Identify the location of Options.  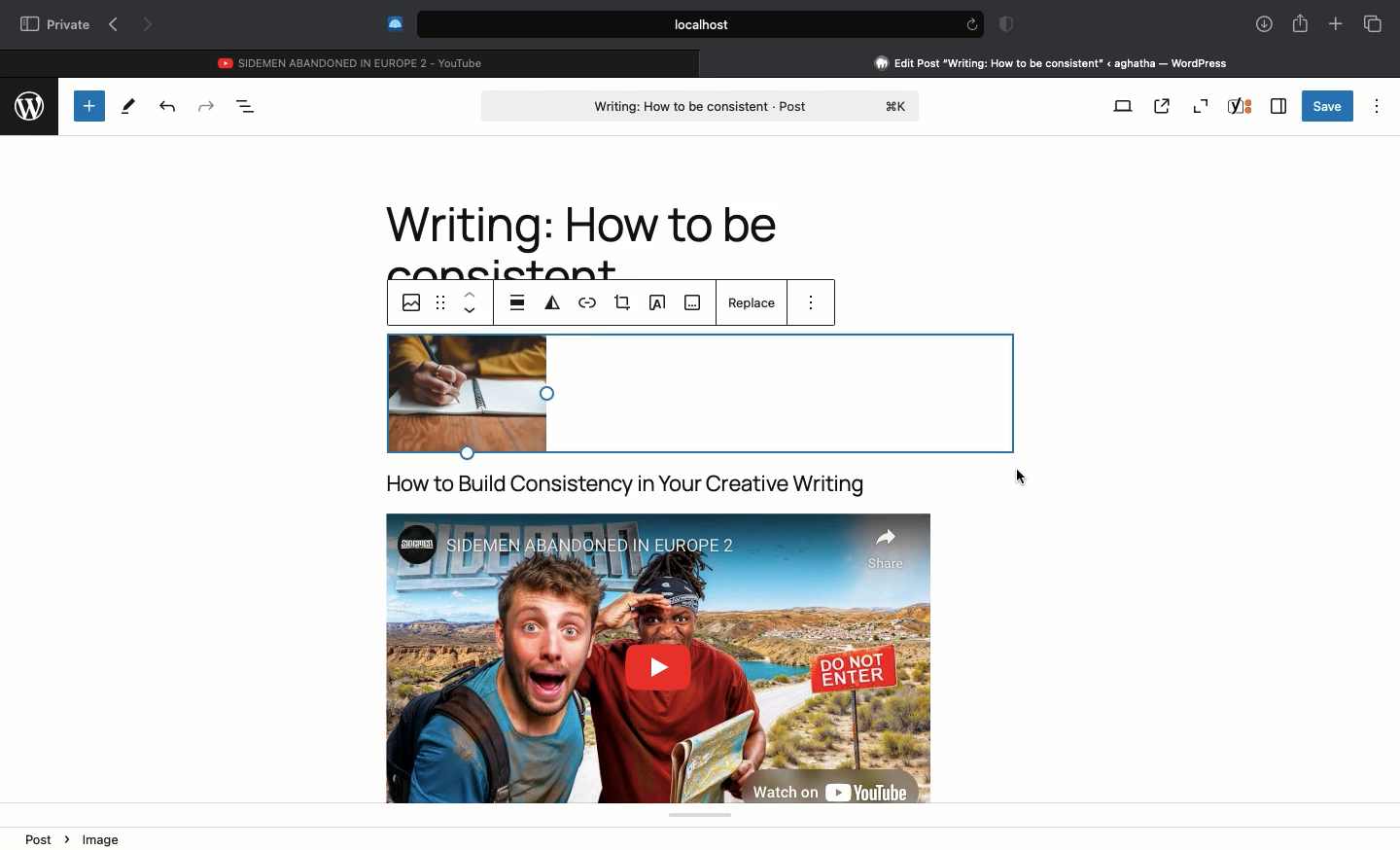
(1379, 103).